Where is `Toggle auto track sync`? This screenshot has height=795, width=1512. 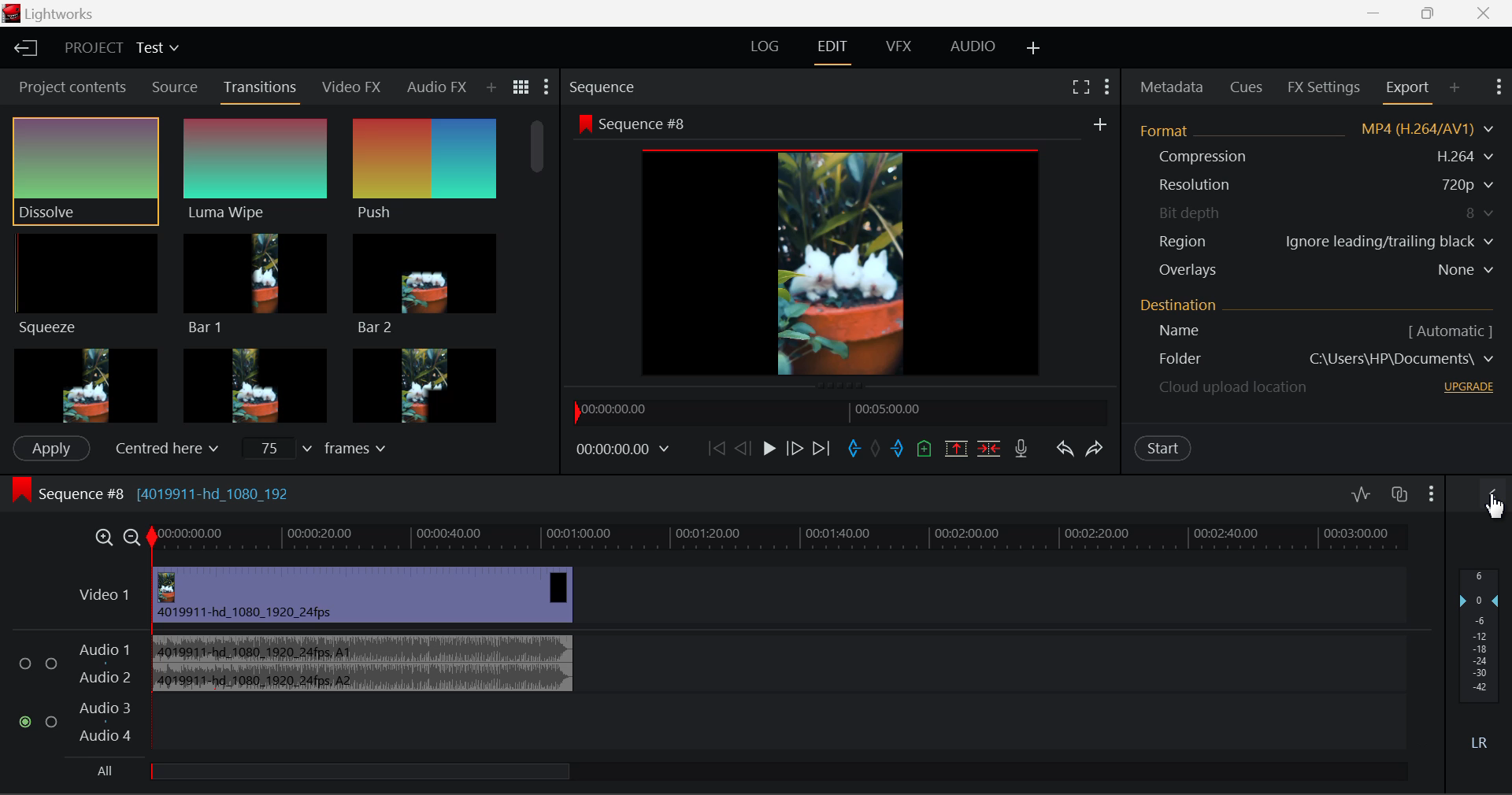 Toggle auto track sync is located at coordinates (1398, 494).